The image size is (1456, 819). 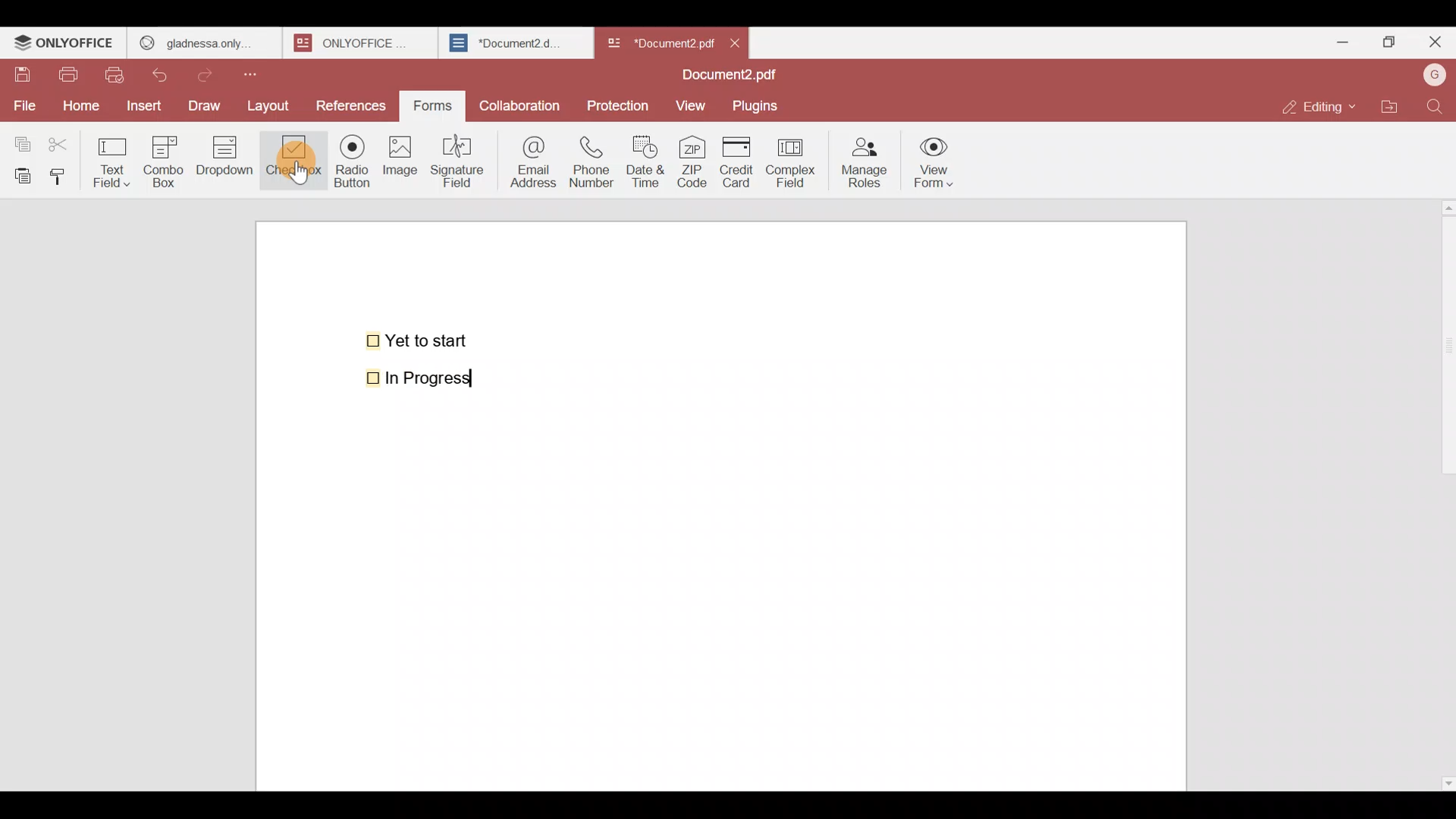 I want to click on View form, so click(x=936, y=163).